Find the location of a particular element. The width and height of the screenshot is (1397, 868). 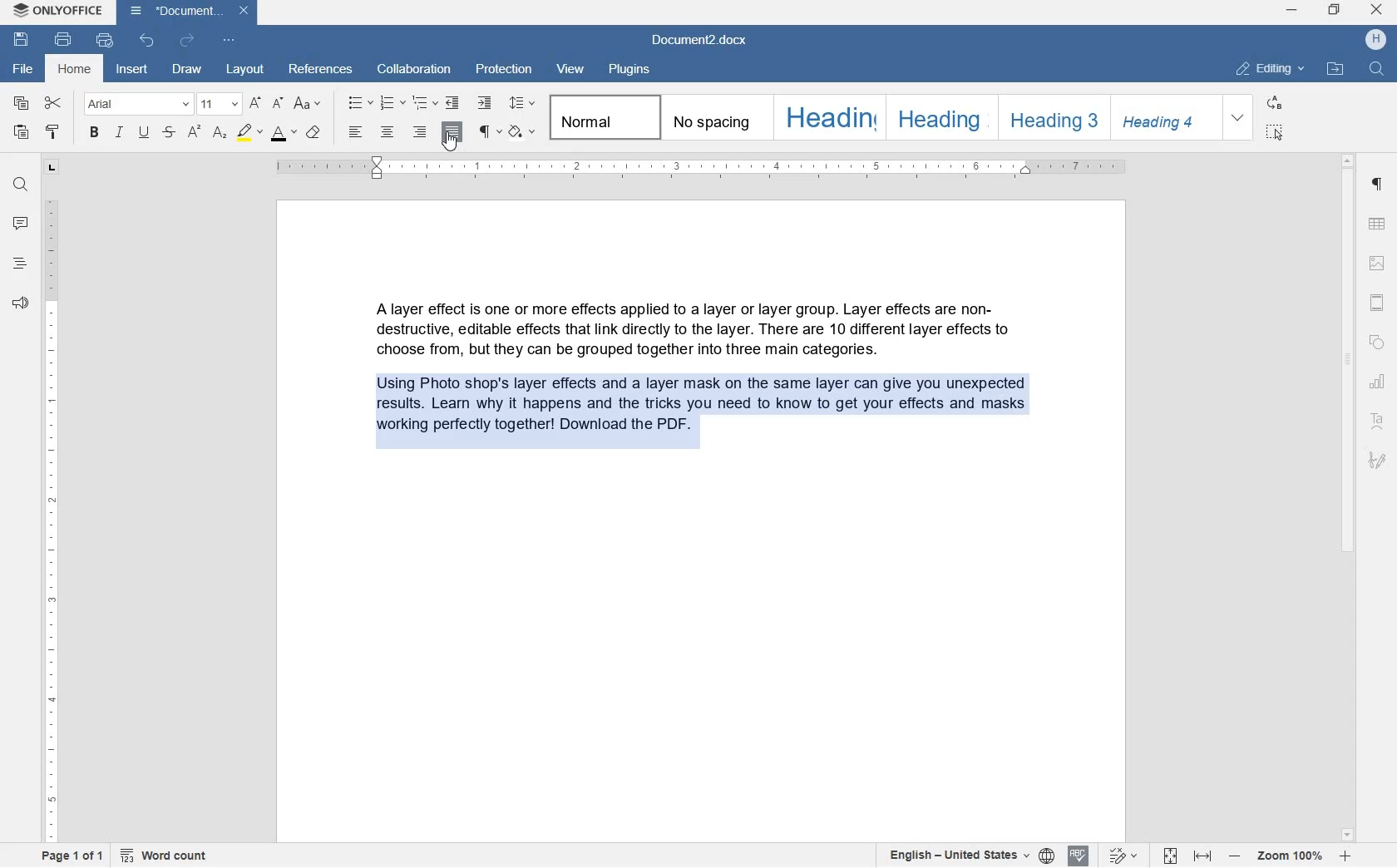

minimize is located at coordinates (1294, 11).